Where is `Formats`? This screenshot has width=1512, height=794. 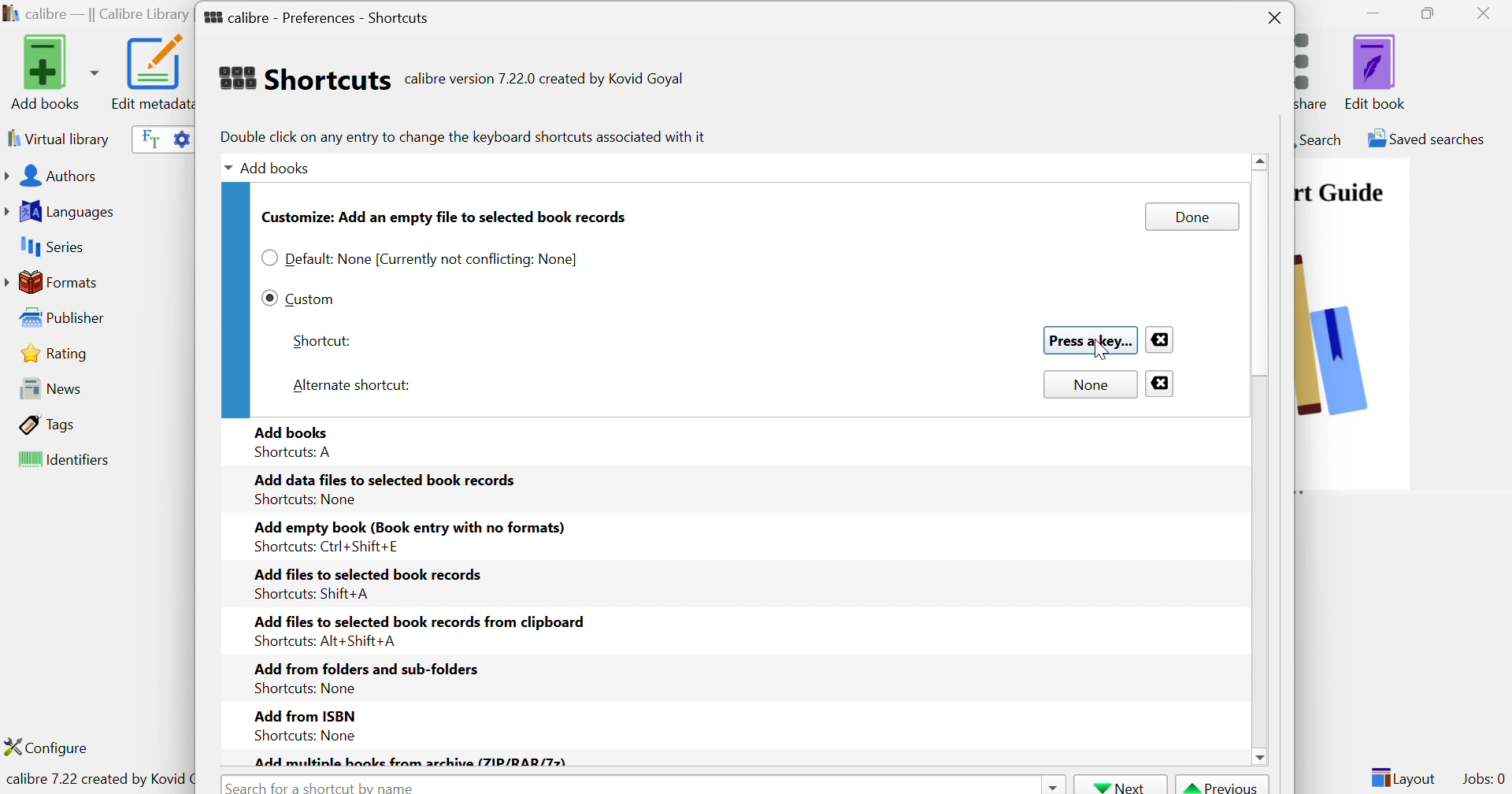 Formats is located at coordinates (54, 282).